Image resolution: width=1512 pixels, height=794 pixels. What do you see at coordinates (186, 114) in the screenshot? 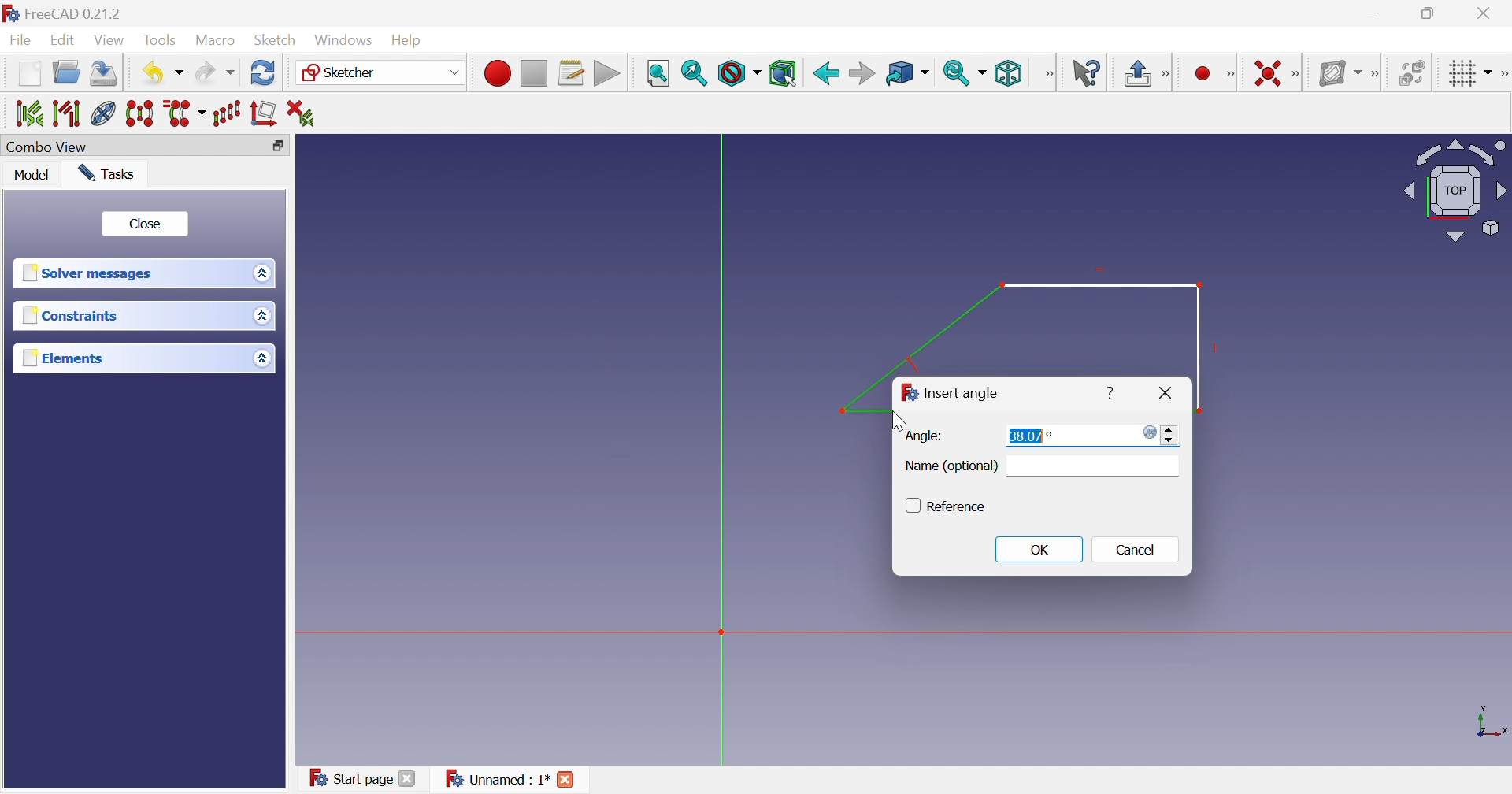
I see `Clone` at bounding box center [186, 114].